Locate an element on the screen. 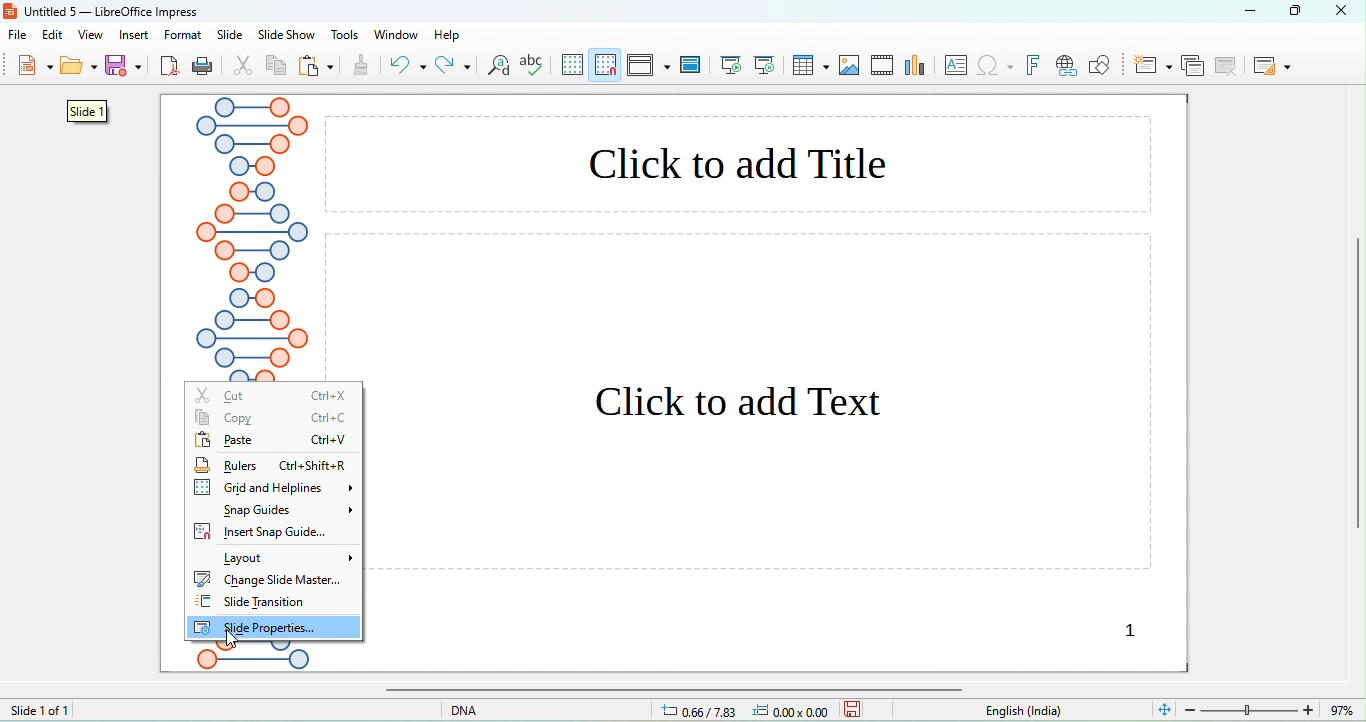 This screenshot has height=722, width=1366. maximize is located at coordinates (1303, 11).